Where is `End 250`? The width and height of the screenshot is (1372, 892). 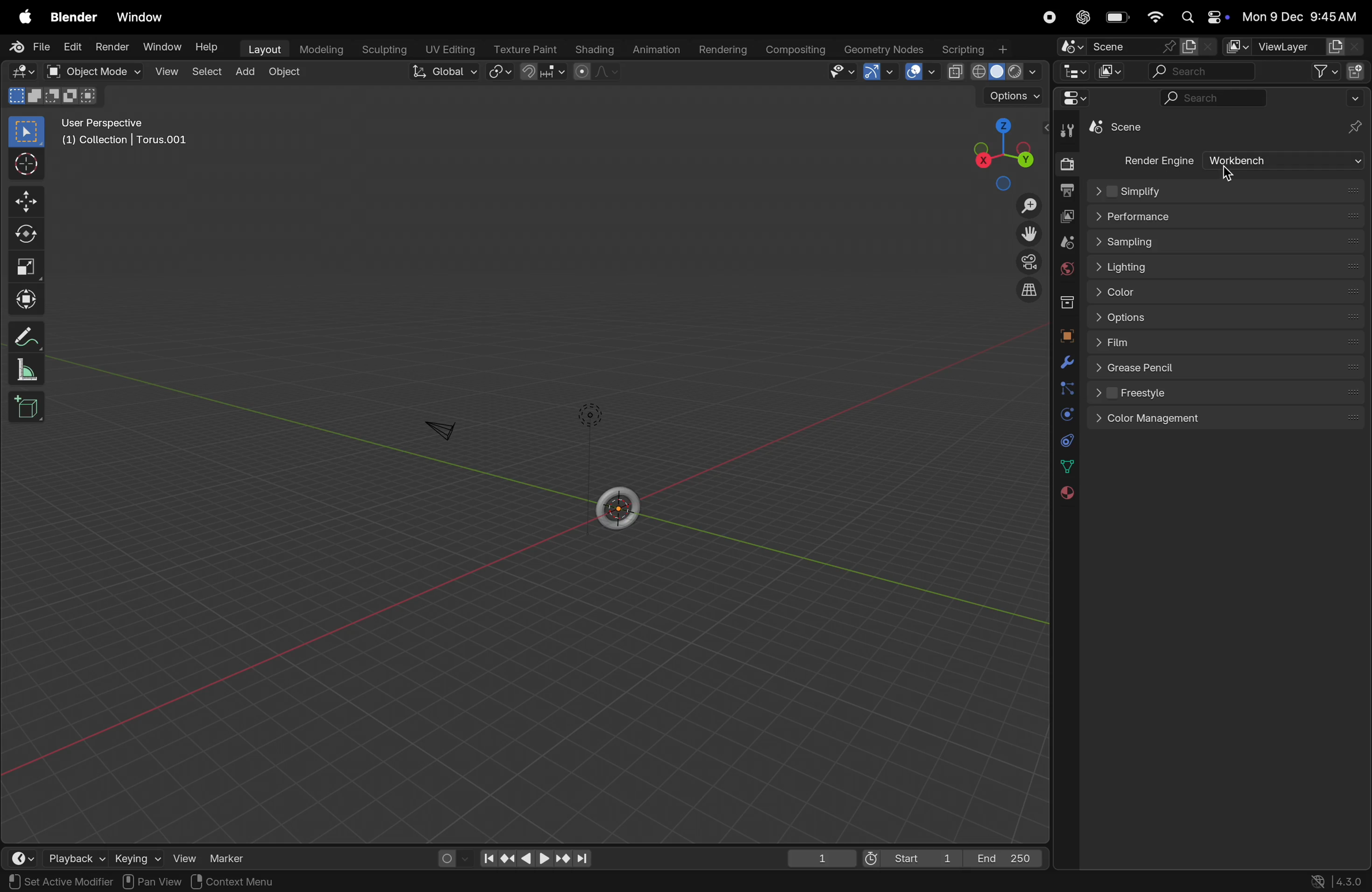 End 250 is located at coordinates (1004, 859).